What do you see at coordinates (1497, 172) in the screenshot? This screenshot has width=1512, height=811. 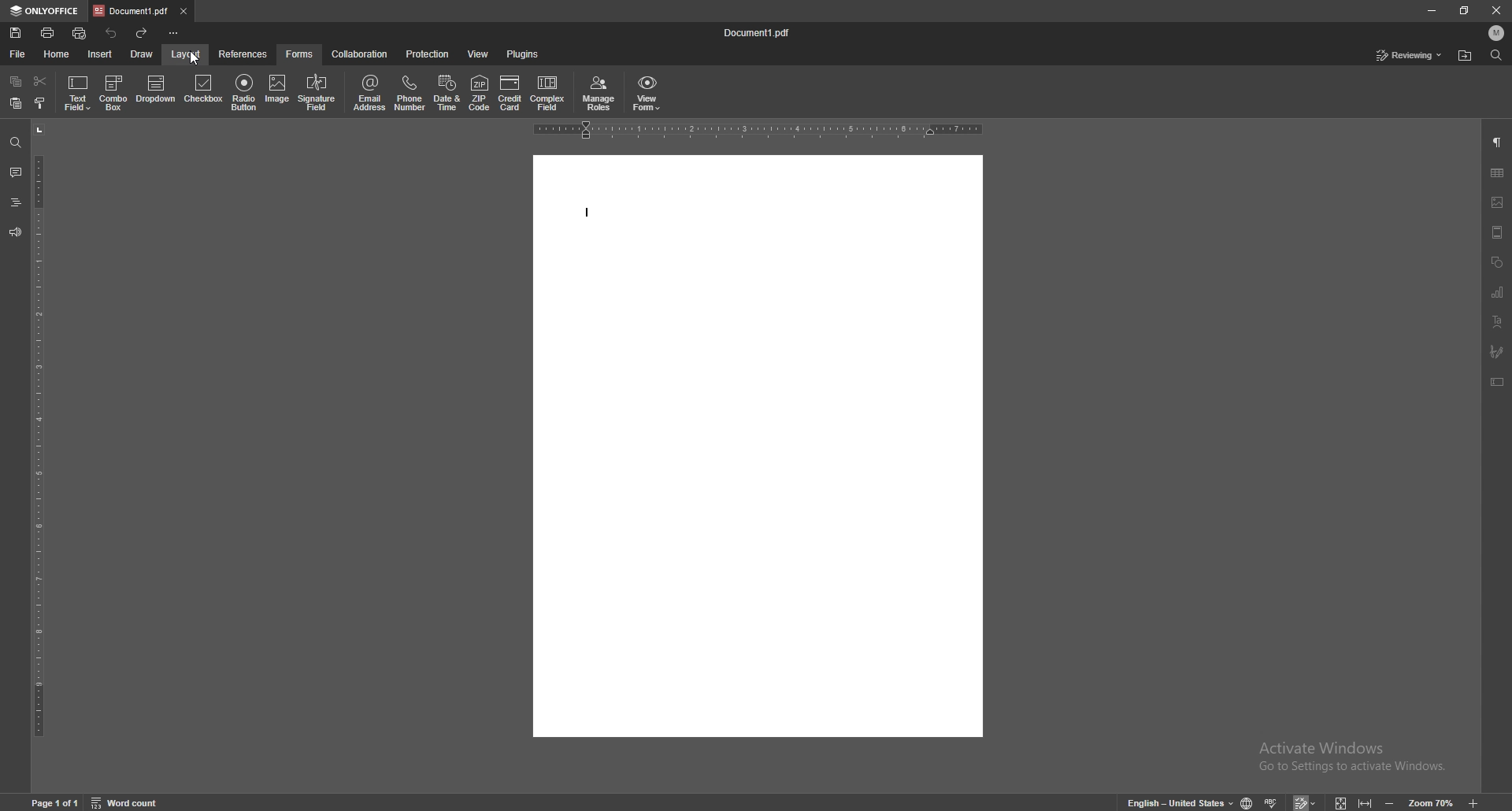 I see `table` at bounding box center [1497, 172].